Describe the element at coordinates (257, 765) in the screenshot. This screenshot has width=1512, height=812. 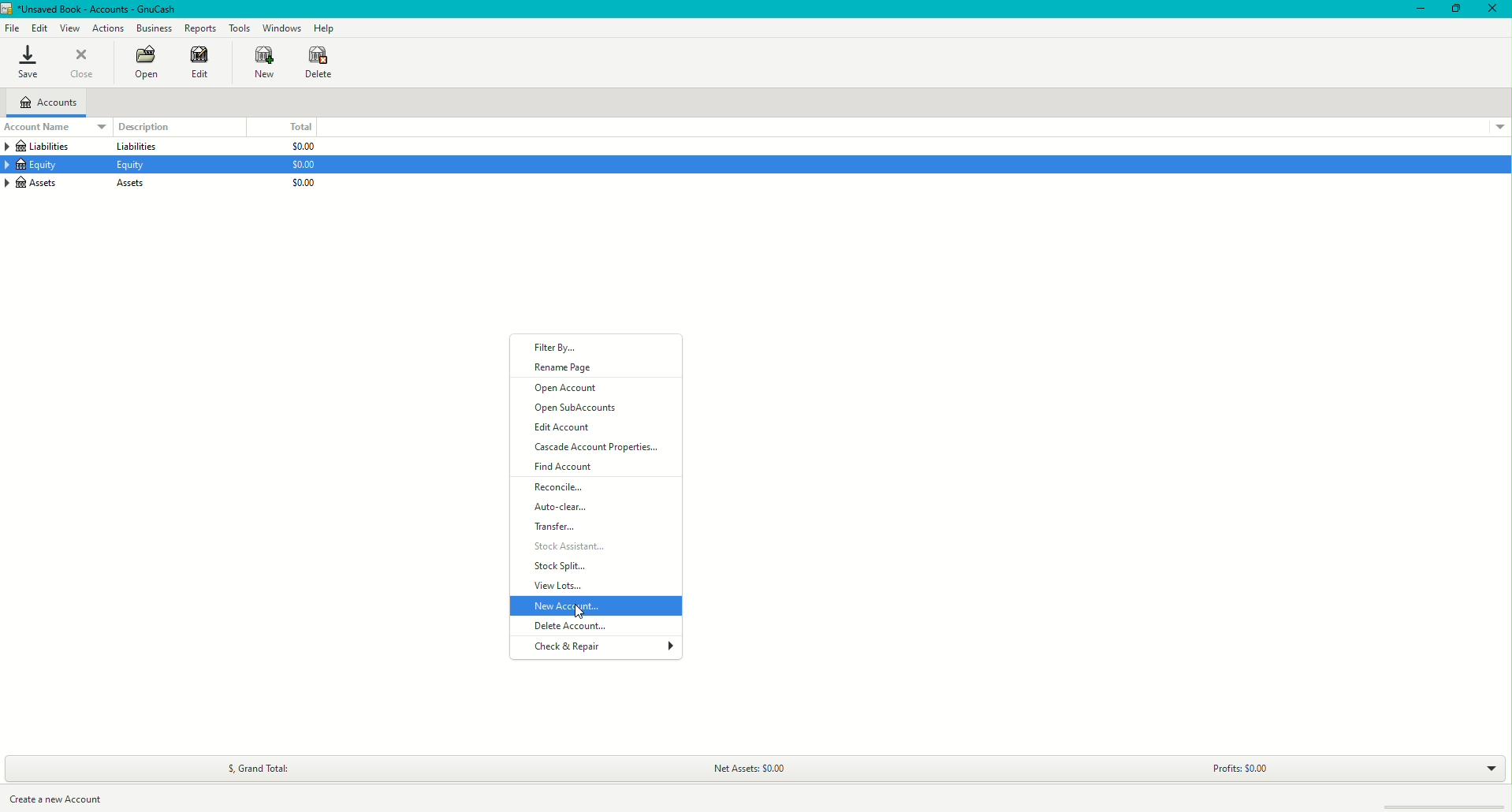
I see `Grand Total` at that location.